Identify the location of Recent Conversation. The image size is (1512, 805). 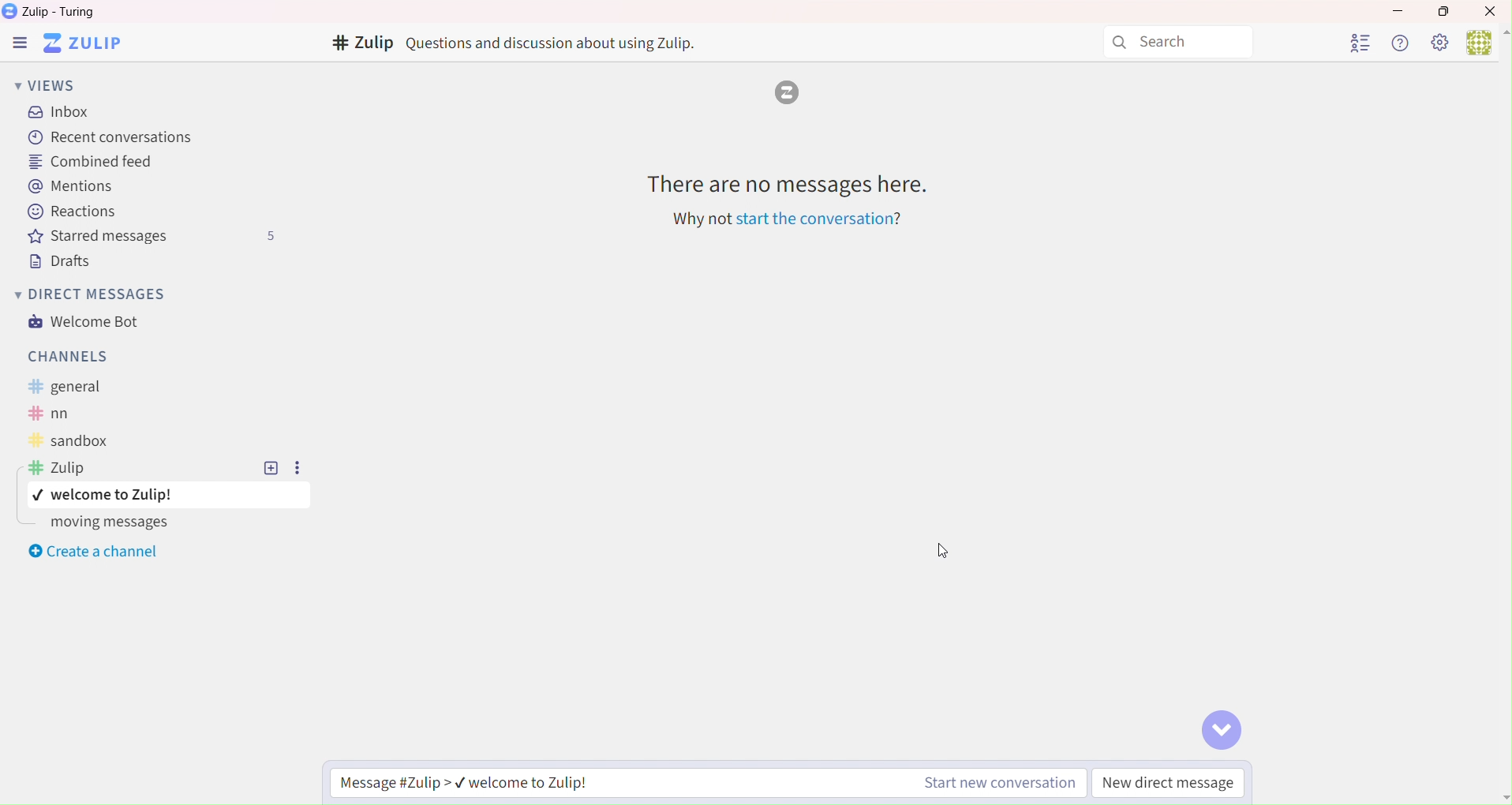
(105, 139).